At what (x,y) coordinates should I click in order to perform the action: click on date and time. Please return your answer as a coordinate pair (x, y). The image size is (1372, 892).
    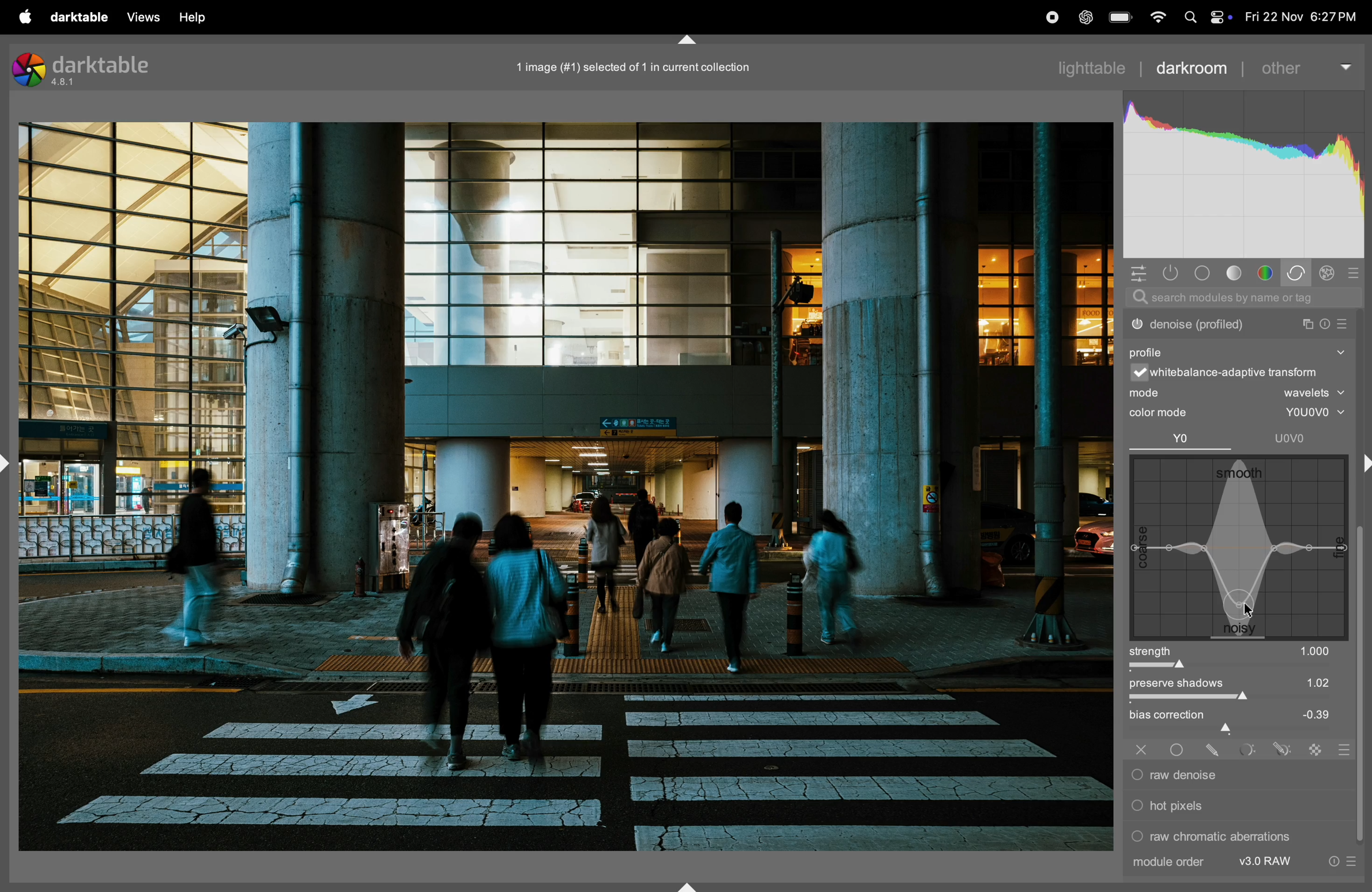
    Looking at the image, I should click on (1297, 18).